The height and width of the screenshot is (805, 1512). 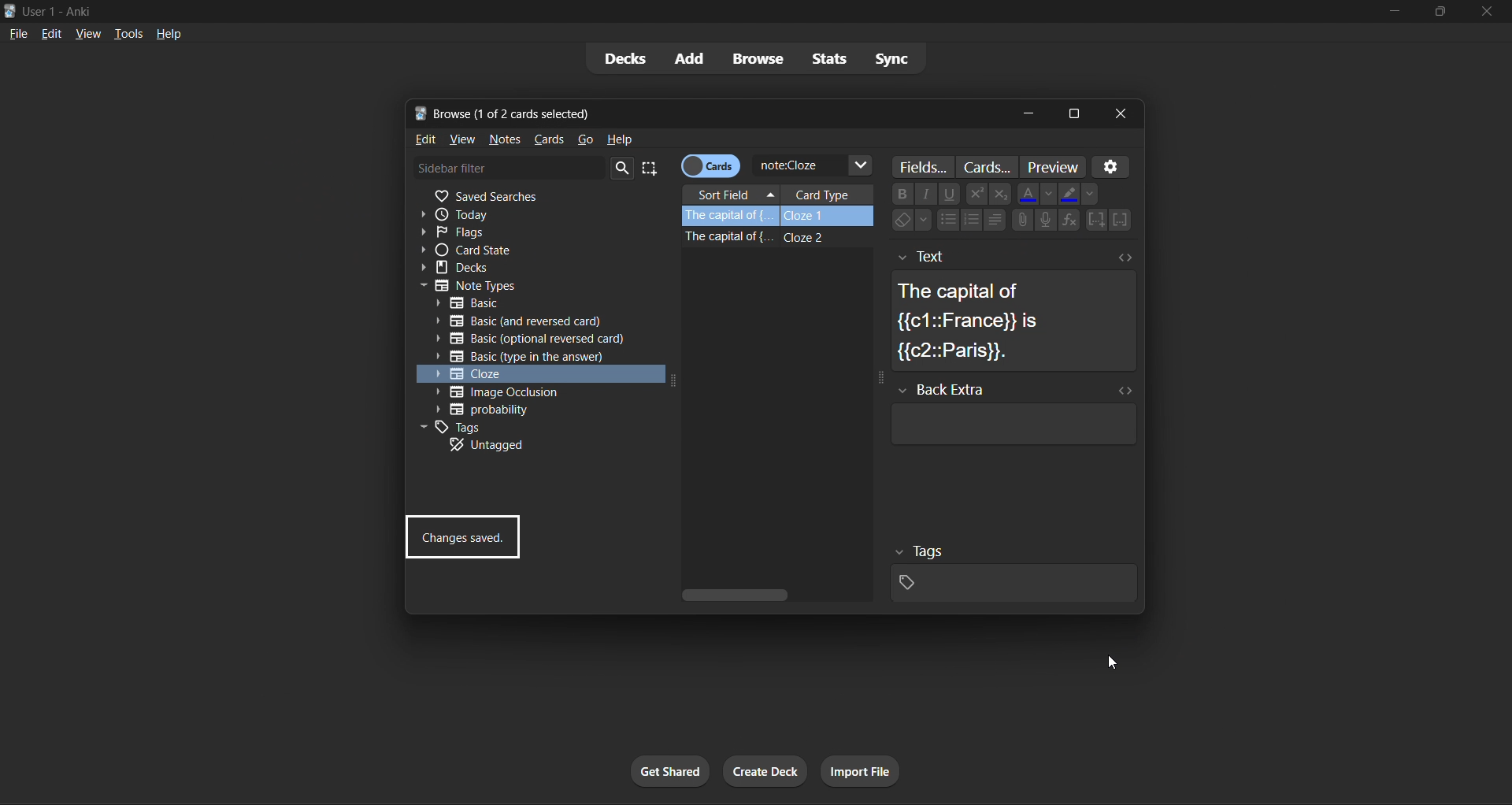 I want to click on title bar, so click(x=689, y=10).